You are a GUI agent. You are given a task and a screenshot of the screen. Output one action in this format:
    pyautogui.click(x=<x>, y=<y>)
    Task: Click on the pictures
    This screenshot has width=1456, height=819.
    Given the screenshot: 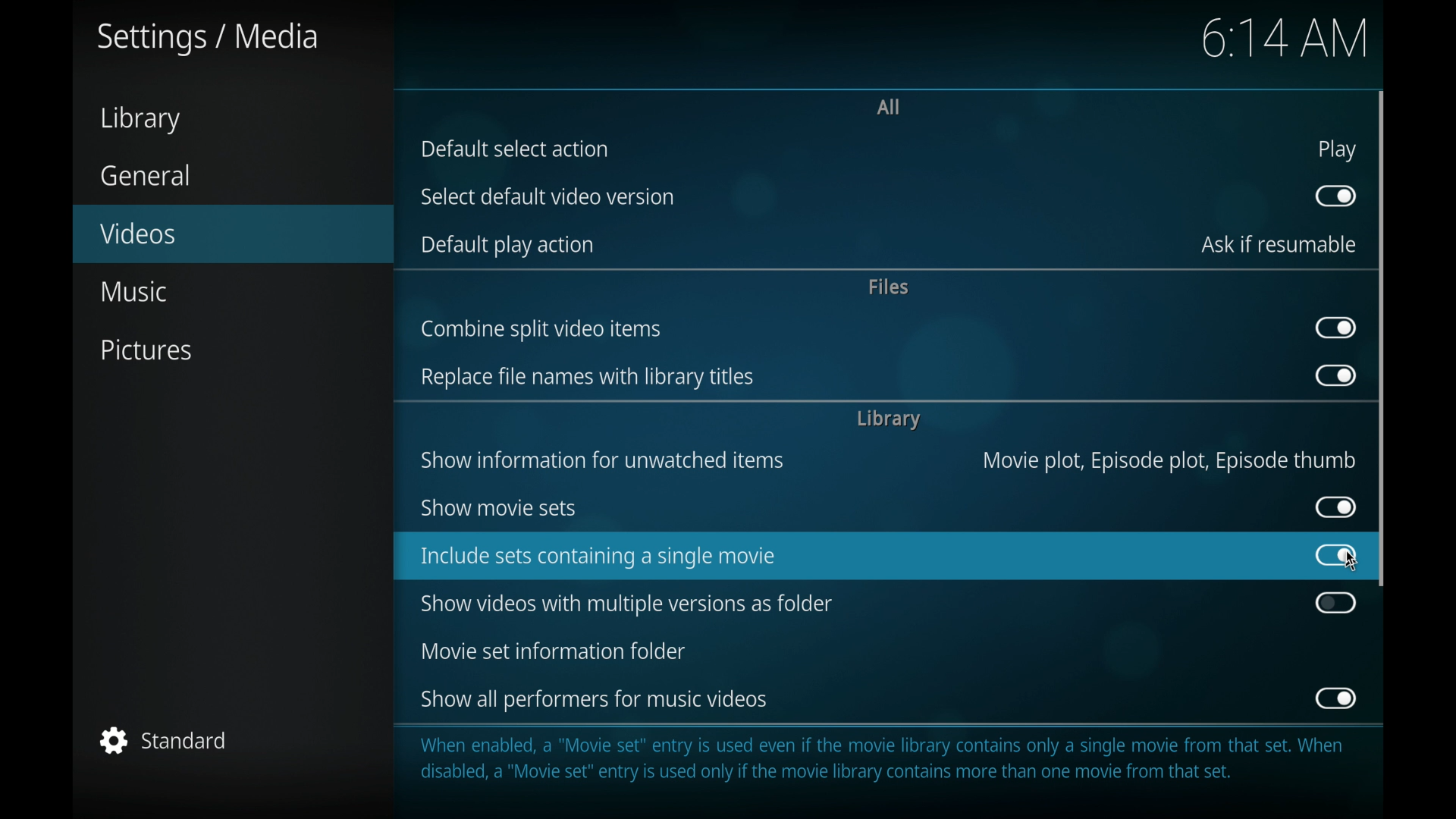 What is the action you would take?
    pyautogui.click(x=146, y=350)
    